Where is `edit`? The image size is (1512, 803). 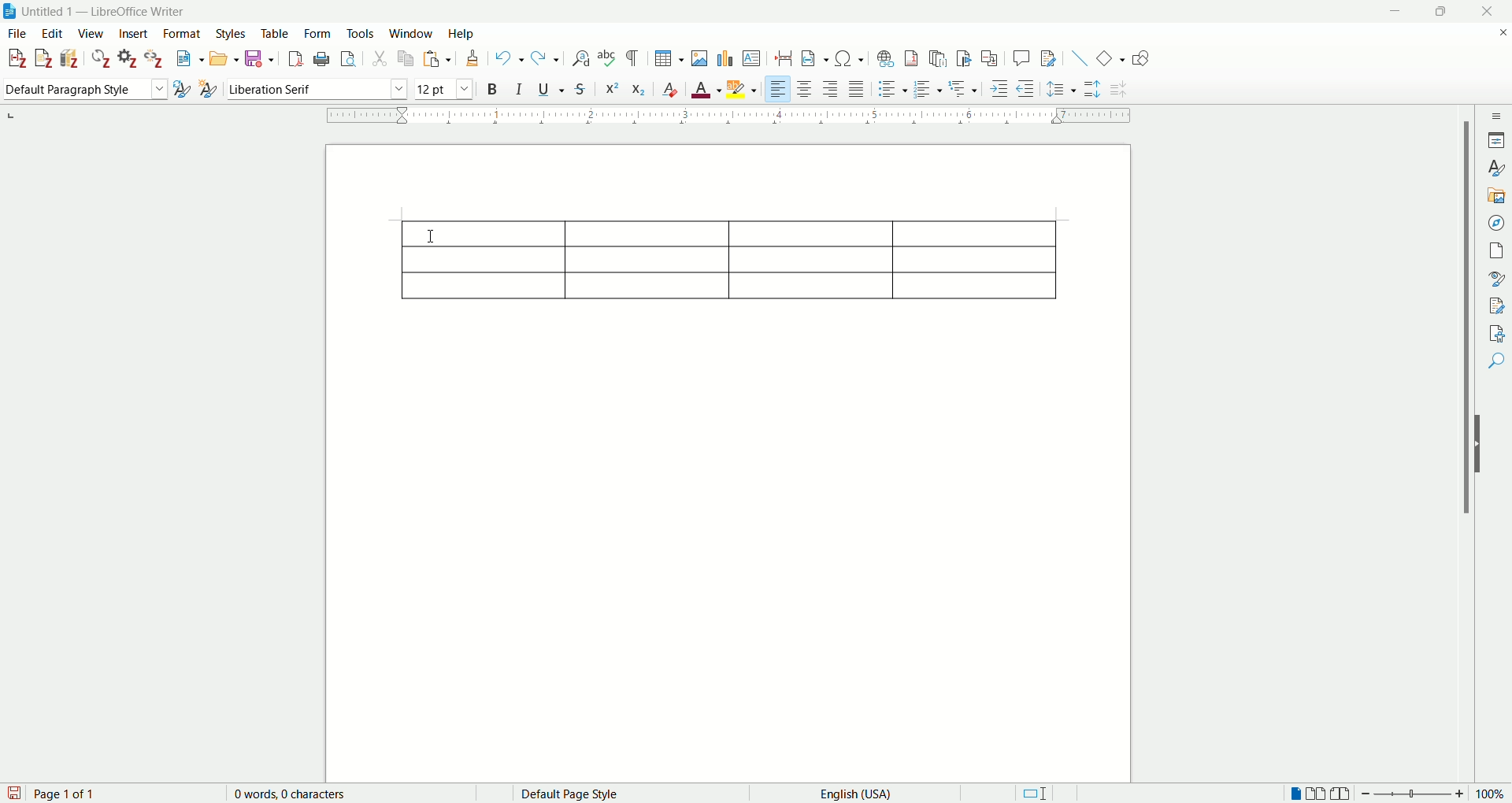 edit is located at coordinates (54, 32).